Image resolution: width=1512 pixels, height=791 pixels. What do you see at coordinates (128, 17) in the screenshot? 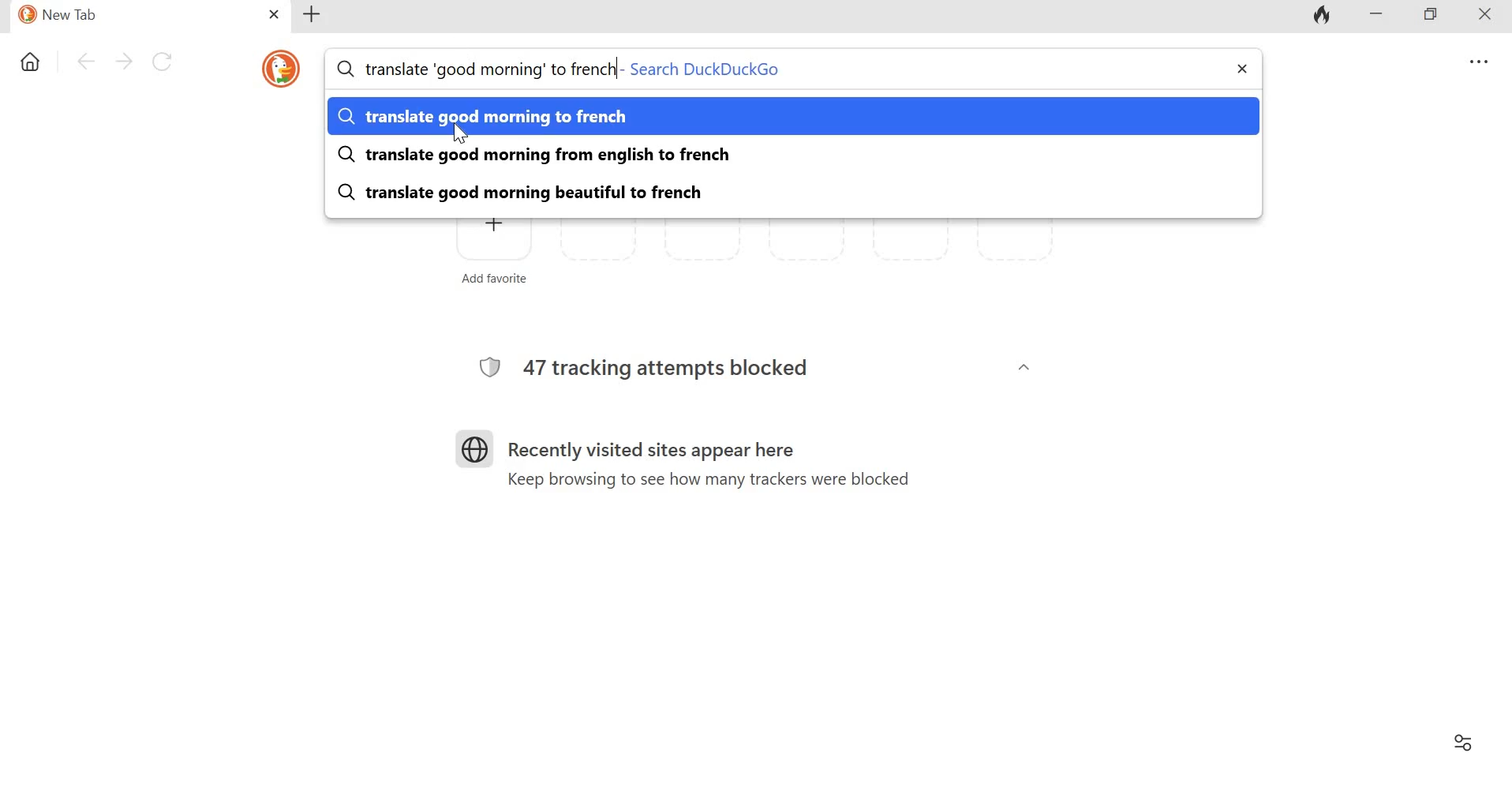
I see `New Tab` at bounding box center [128, 17].